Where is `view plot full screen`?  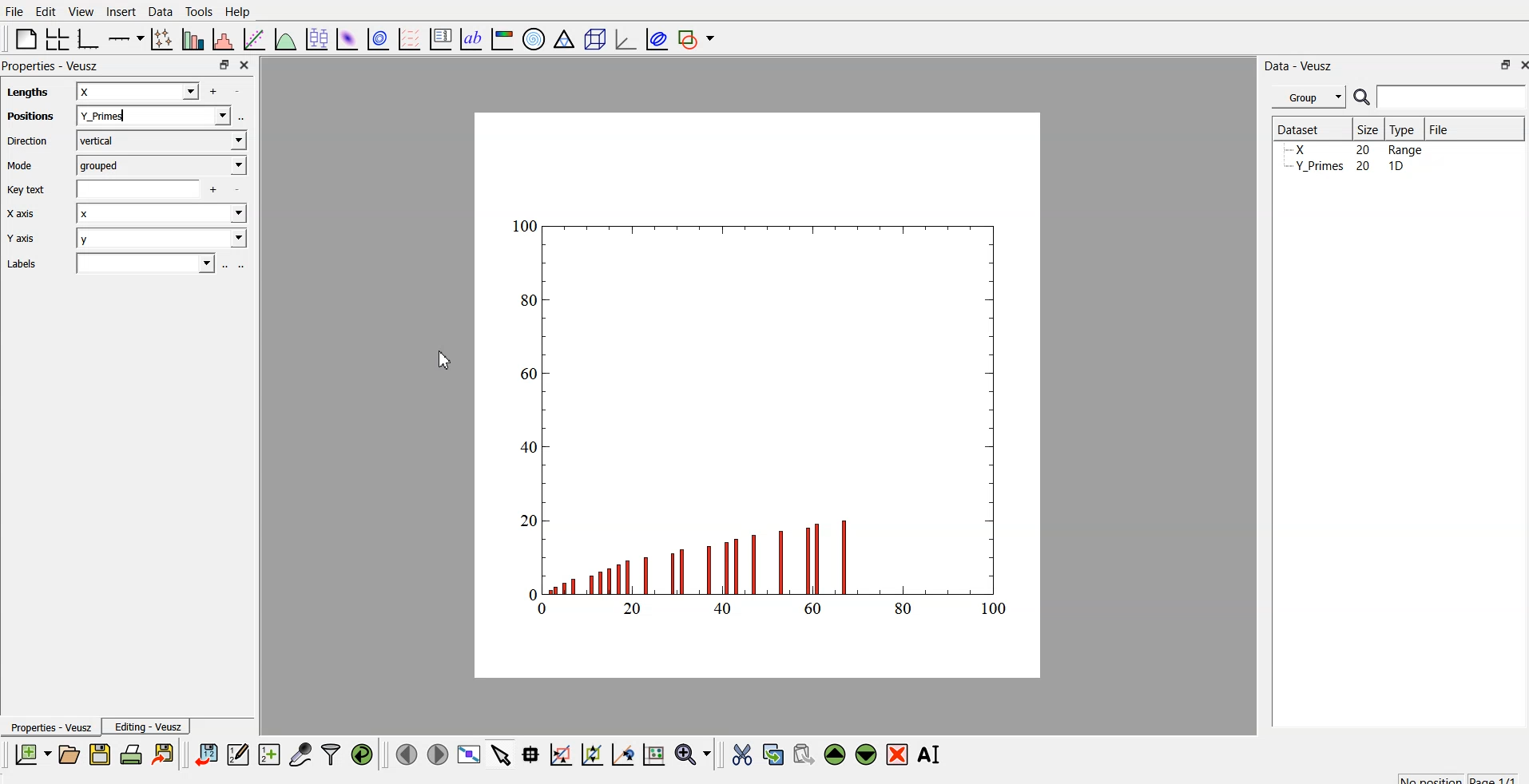
view plot full screen is located at coordinates (470, 754).